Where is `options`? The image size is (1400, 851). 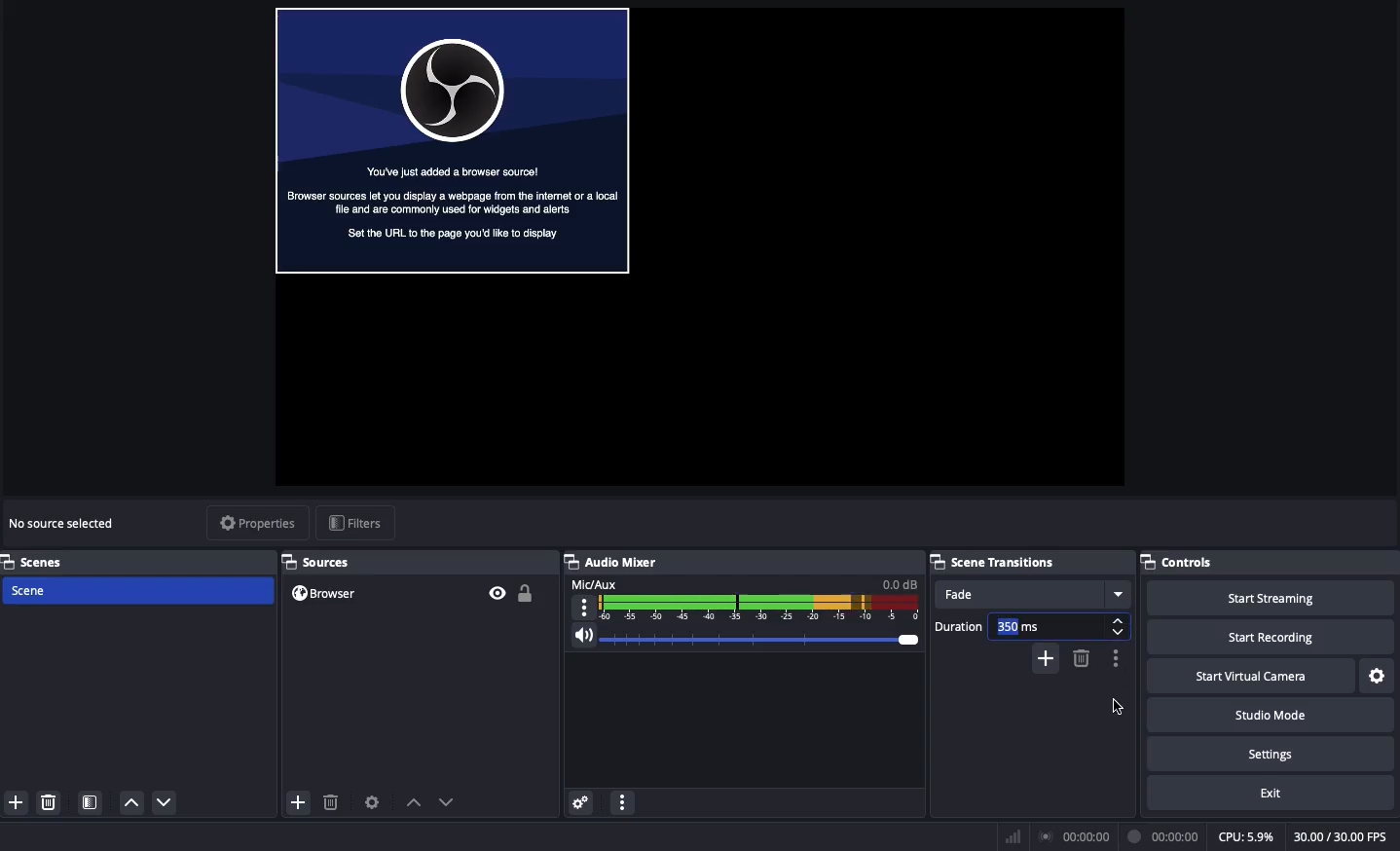
options is located at coordinates (1120, 665).